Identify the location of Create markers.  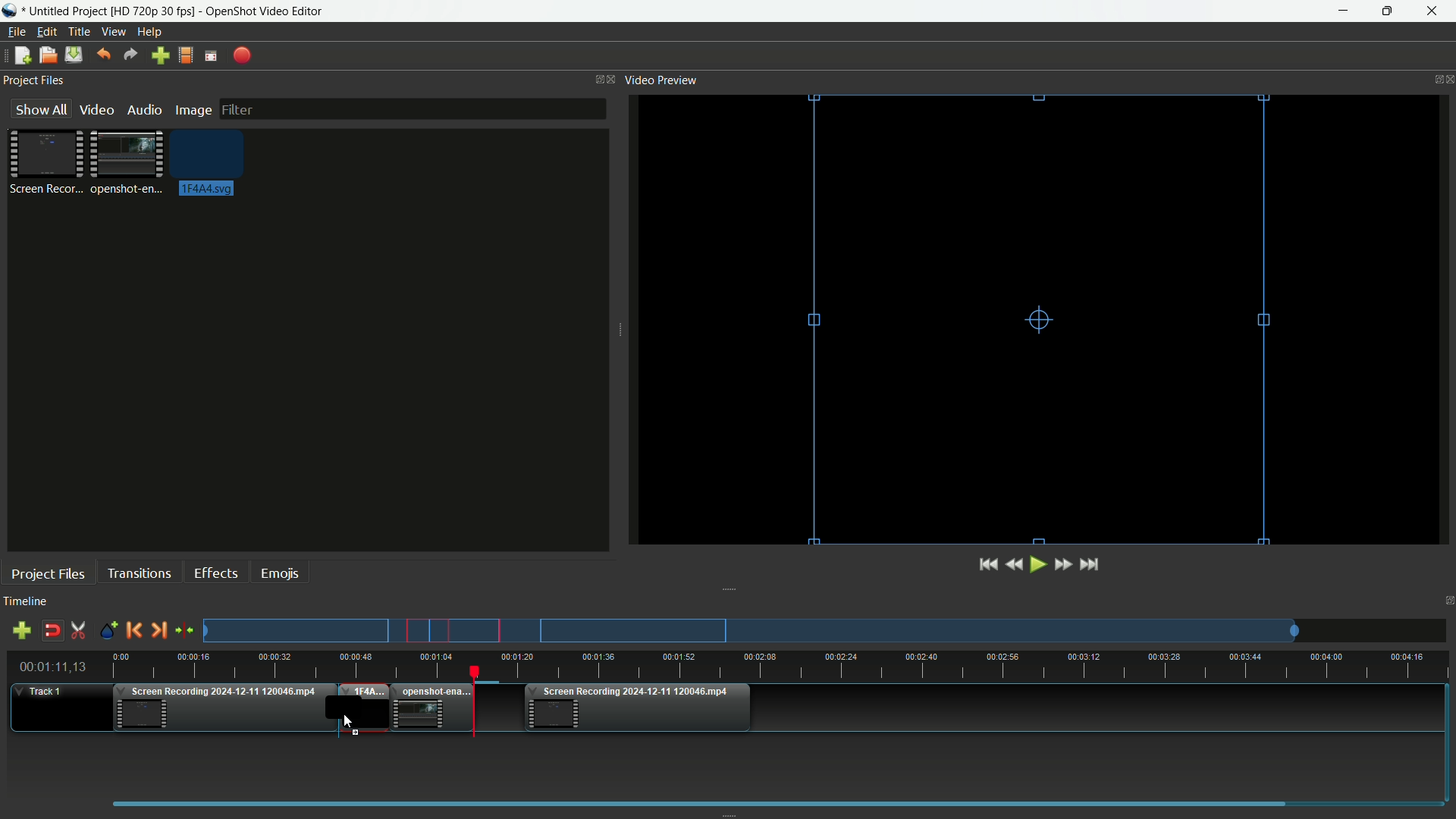
(104, 631).